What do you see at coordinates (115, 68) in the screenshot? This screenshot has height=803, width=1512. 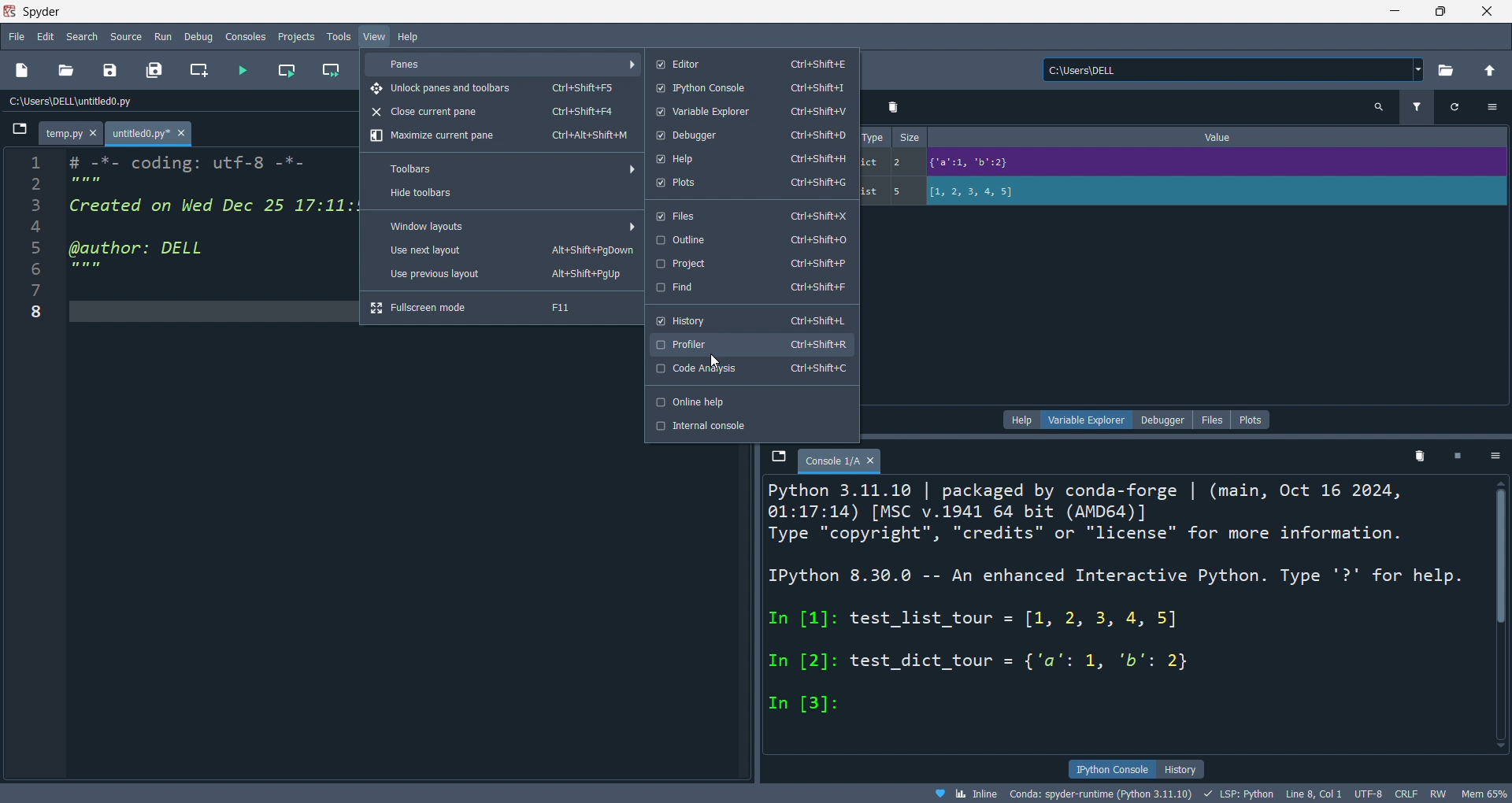 I see `save` at bounding box center [115, 68].